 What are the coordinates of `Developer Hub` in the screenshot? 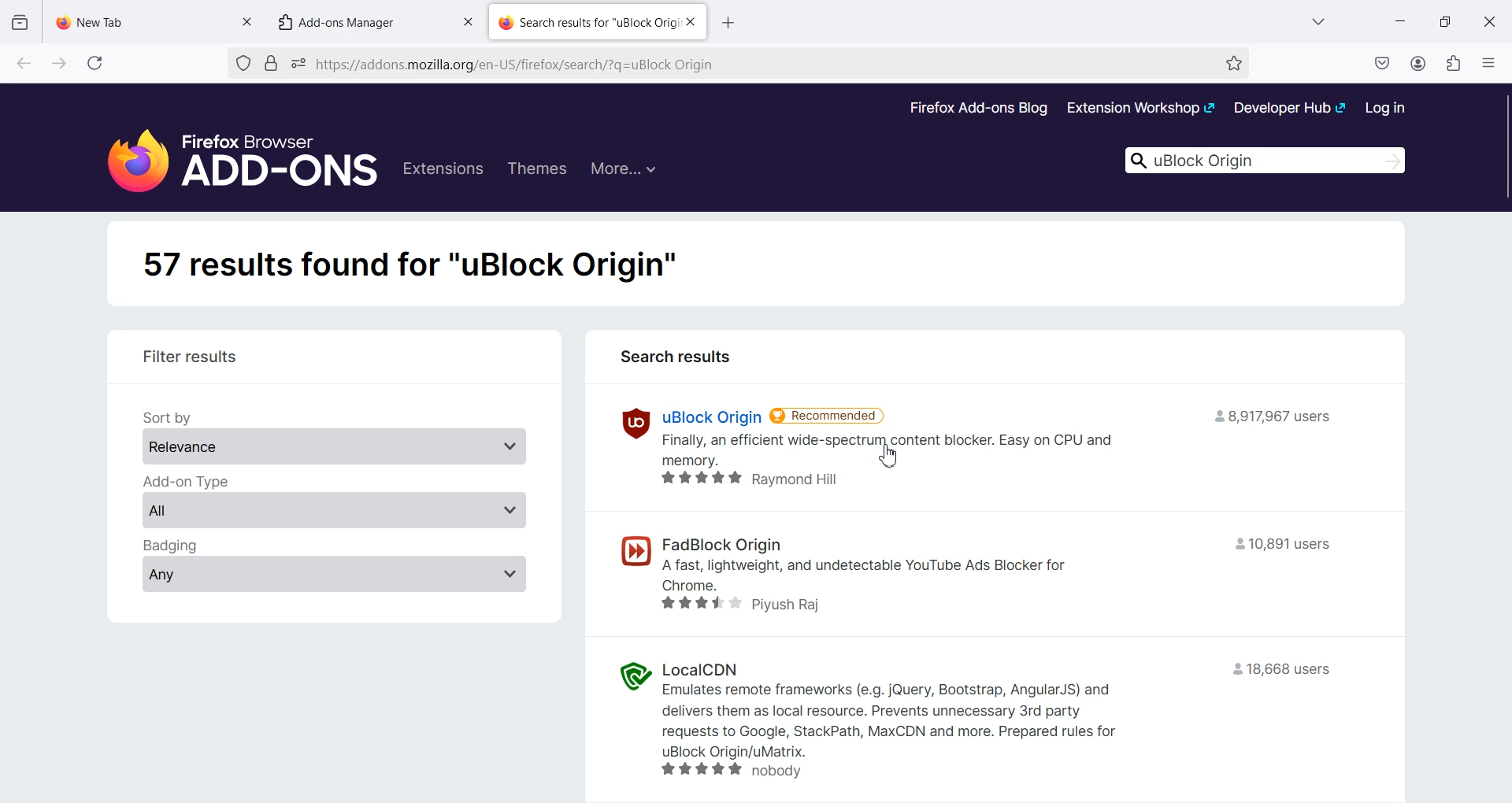 It's located at (1291, 107).